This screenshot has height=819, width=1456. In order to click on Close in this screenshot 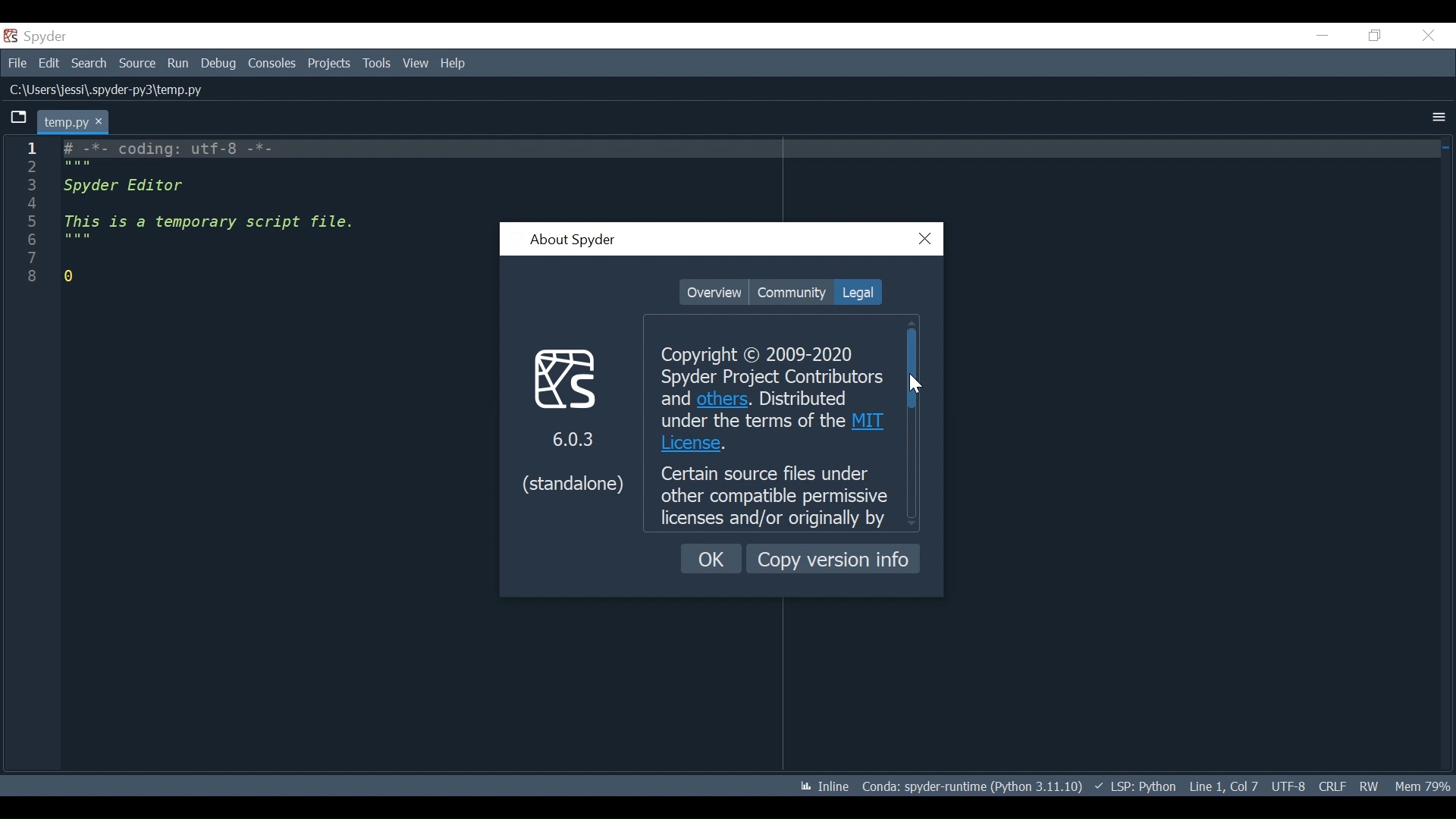, I will do `click(1428, 36)`.